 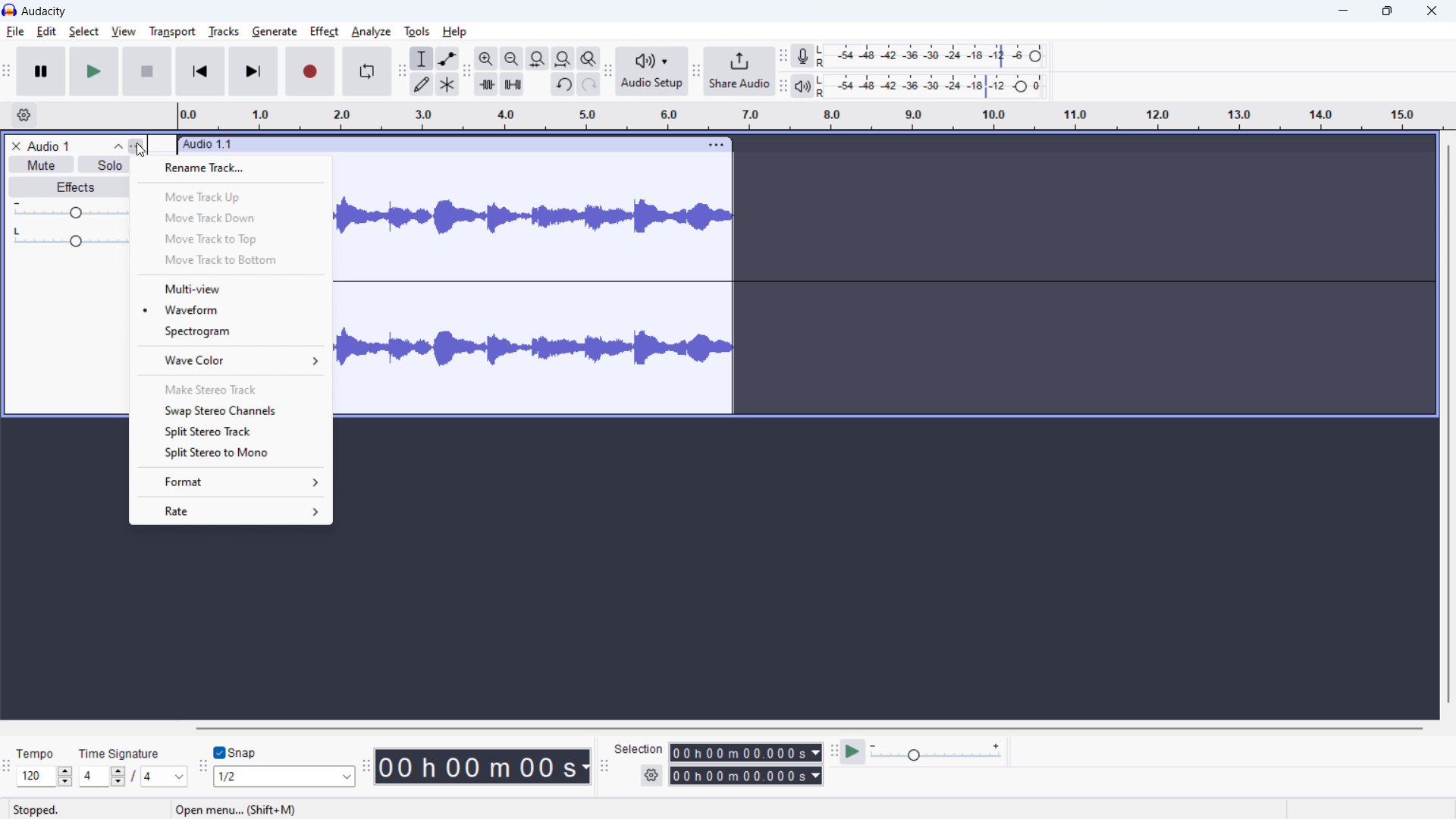 I want to click on playback level, so click(x=934, y=86).